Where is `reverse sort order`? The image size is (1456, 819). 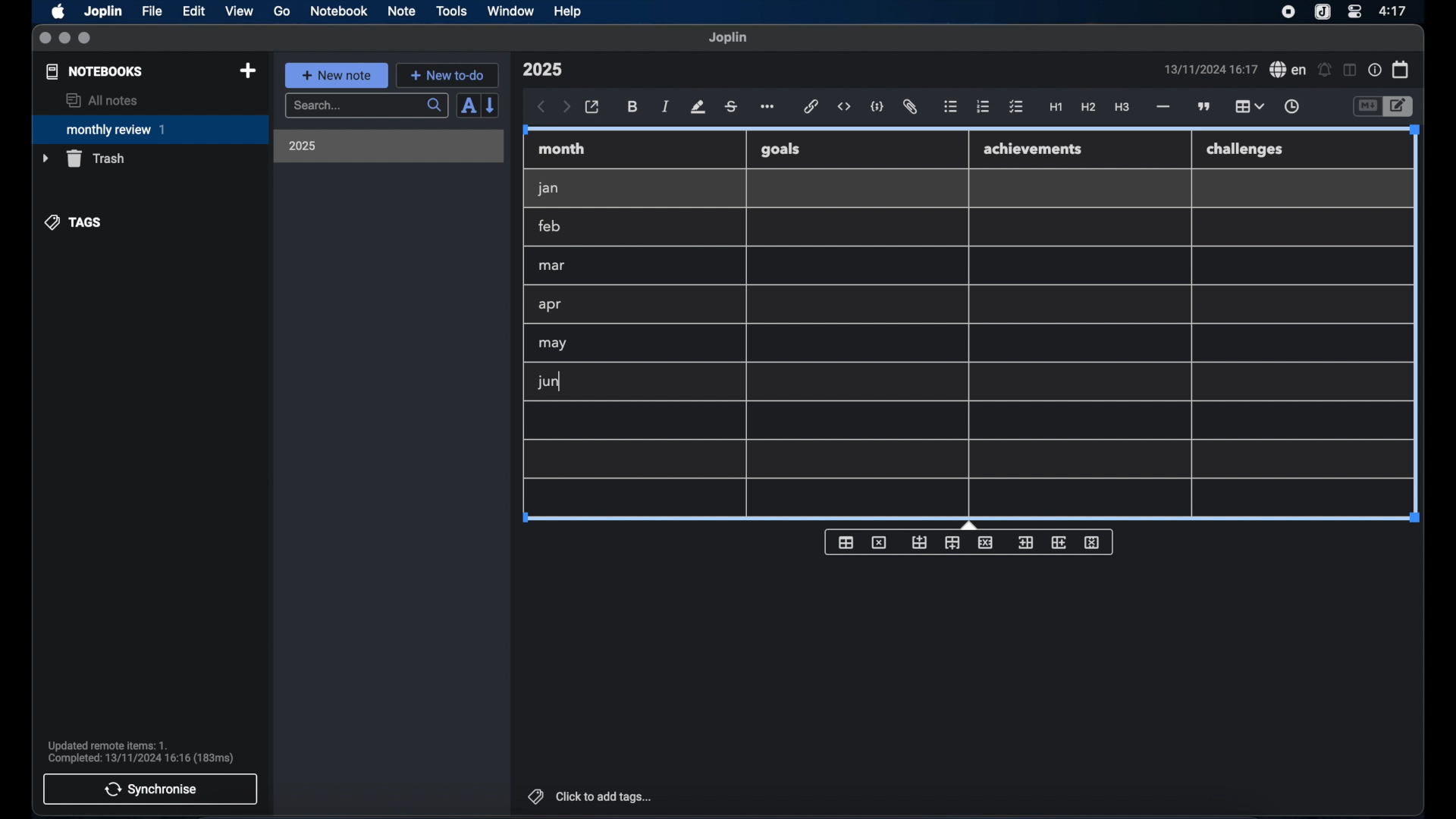 reverse sort order is located at coordinates (491, 105).